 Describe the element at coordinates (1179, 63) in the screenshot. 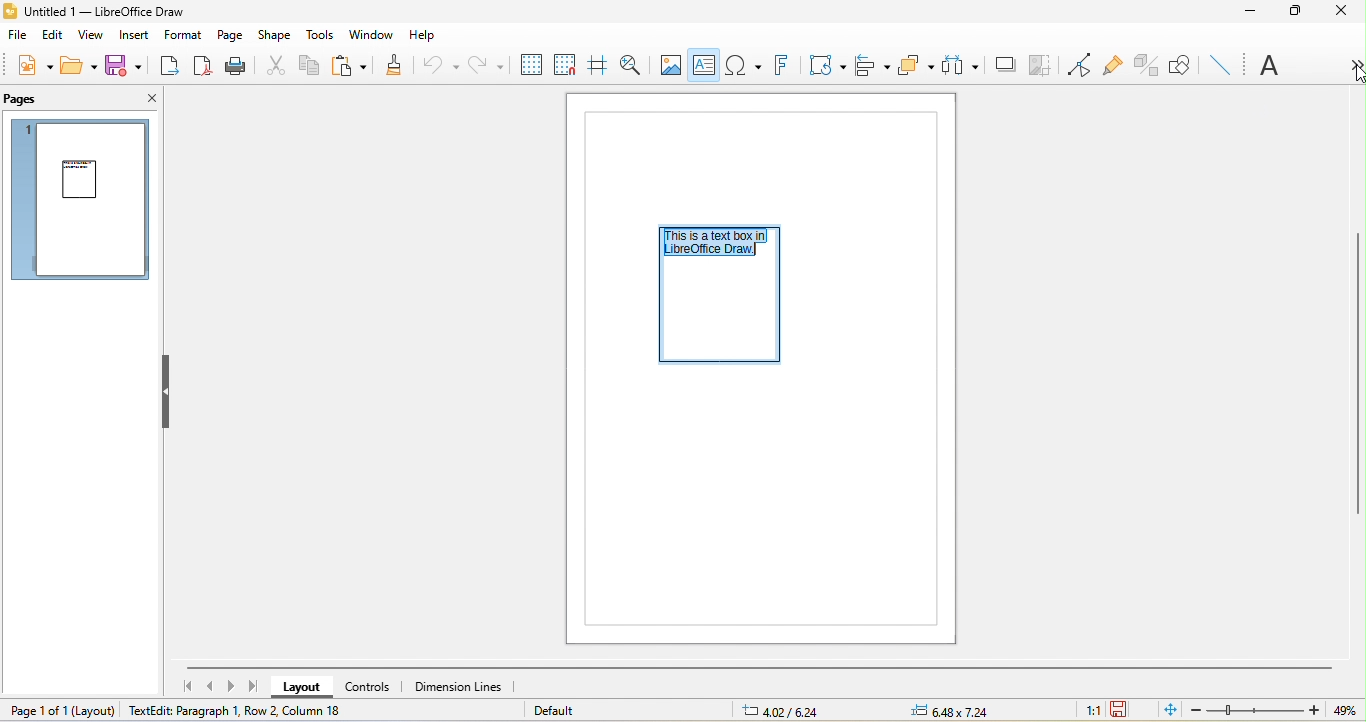

I see `show draw function` at that location.